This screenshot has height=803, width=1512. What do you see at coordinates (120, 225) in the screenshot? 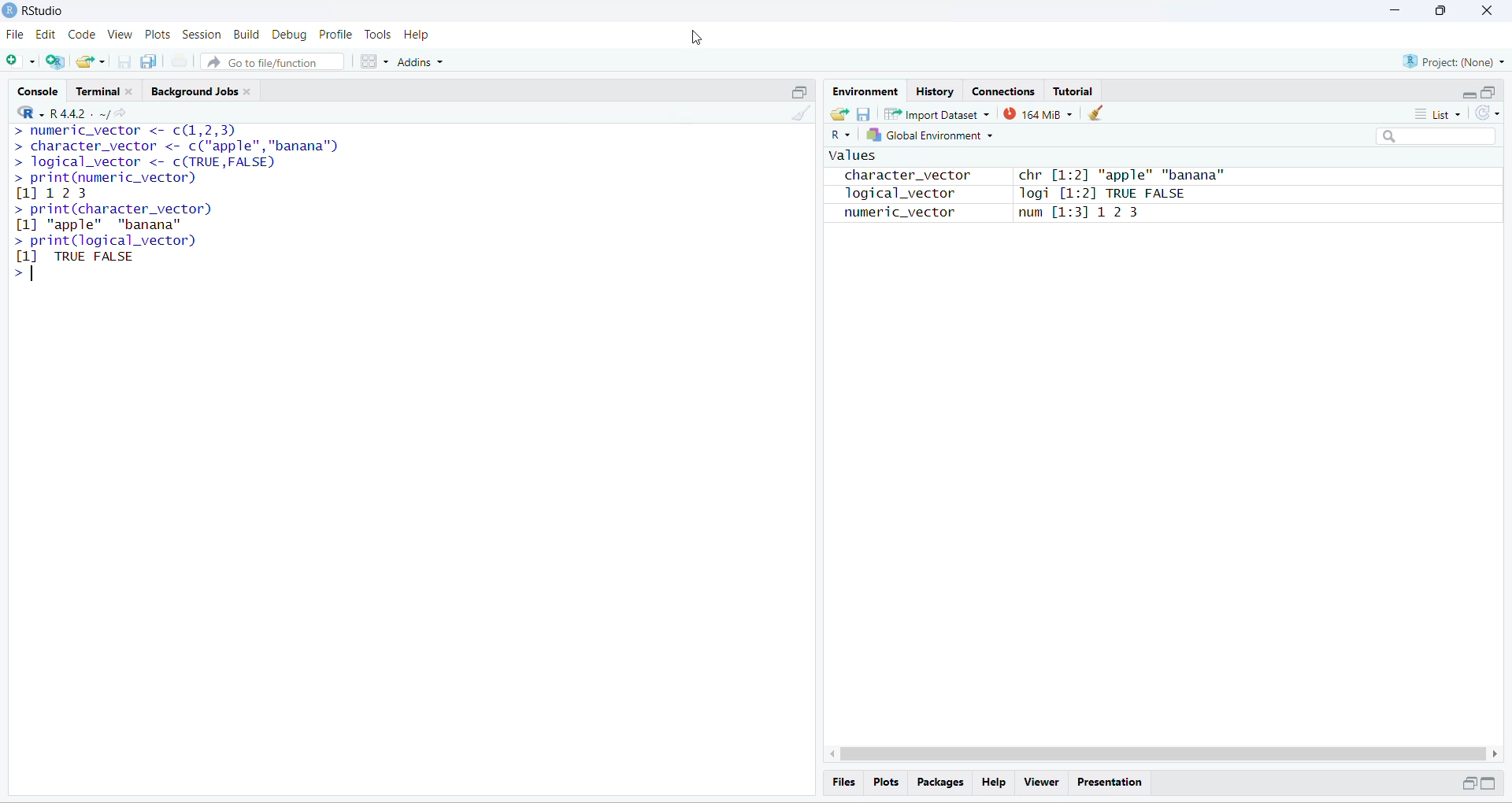
I see `> print{numeric_vector)
mji2s

> print(character_vector)
[1] "apple" "banana"

> print(logical_vector)
[1] TRUE FALSE

>|` at bounding box center [120, 225].